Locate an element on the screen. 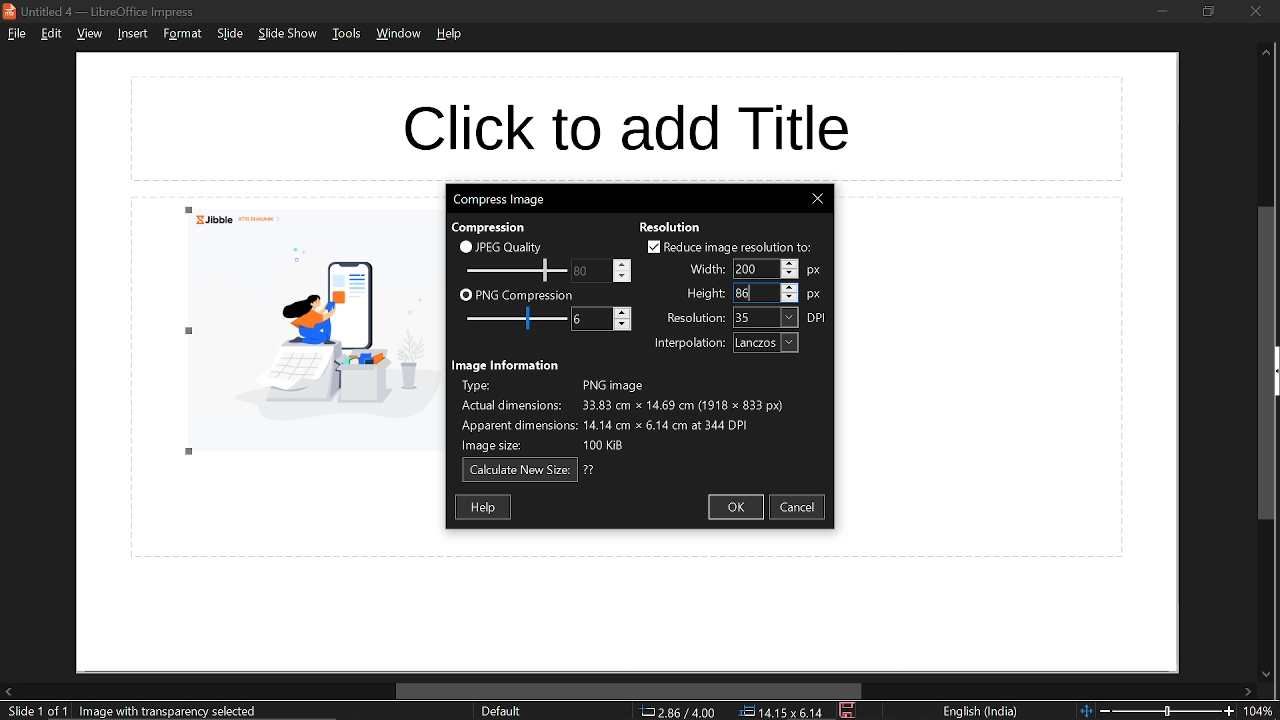  vertical scrollbar is located at coordinates (1268, 364).